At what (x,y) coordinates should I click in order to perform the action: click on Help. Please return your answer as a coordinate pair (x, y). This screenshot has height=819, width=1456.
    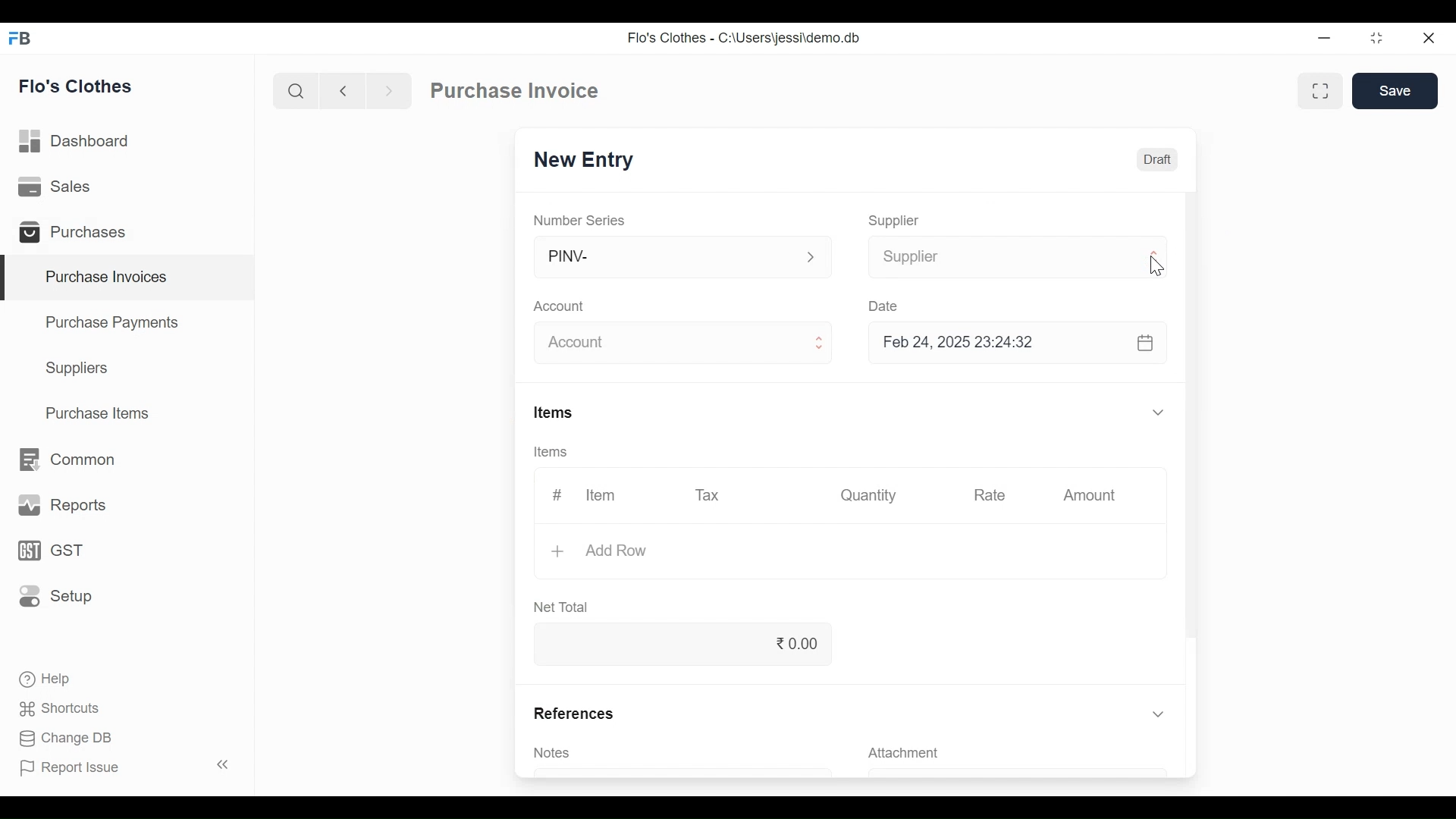
    Looking at the image, I should click on (50, 679).